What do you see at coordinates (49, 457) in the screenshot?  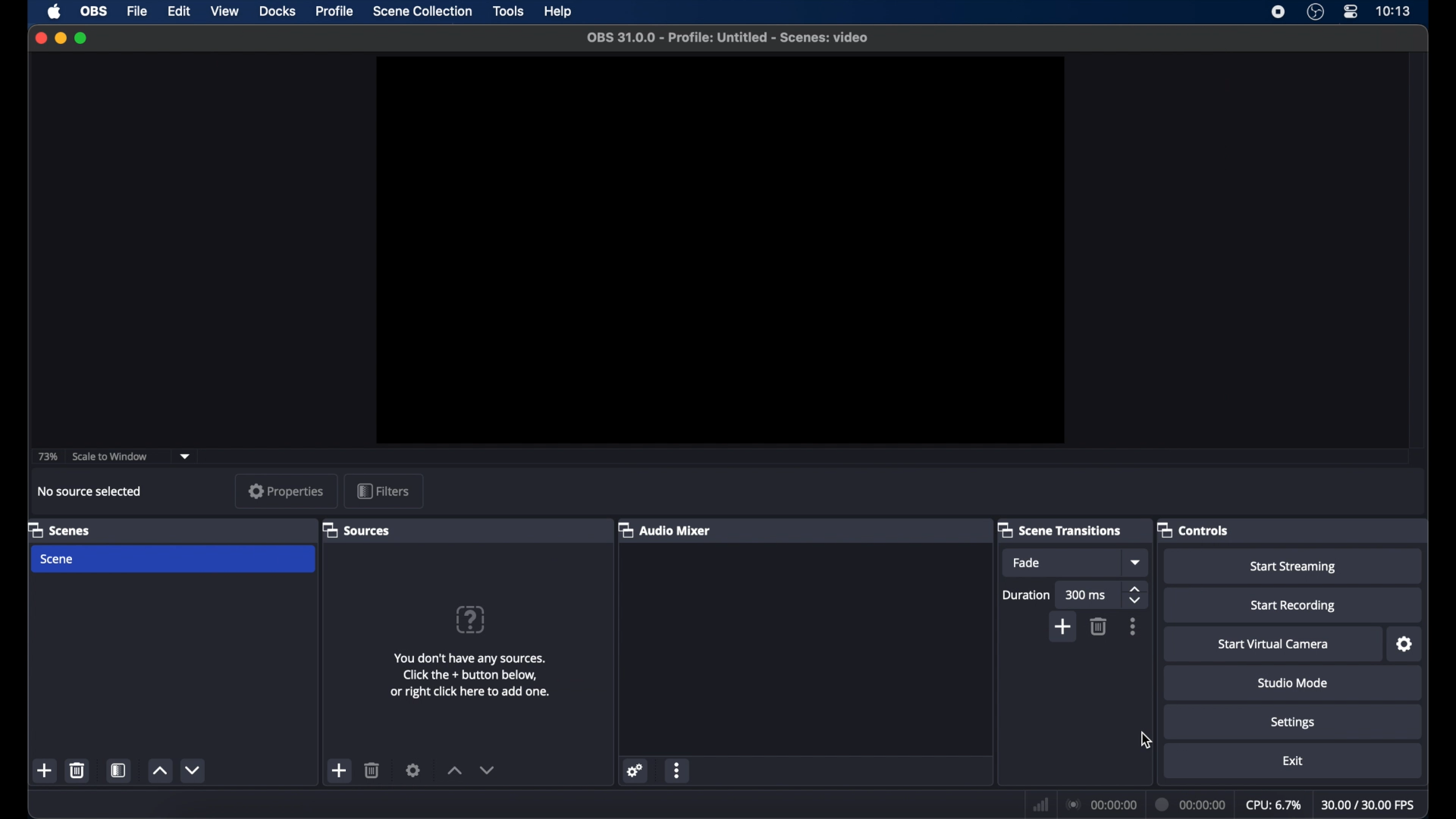 I see `73%` at bounding box center [49, 457].